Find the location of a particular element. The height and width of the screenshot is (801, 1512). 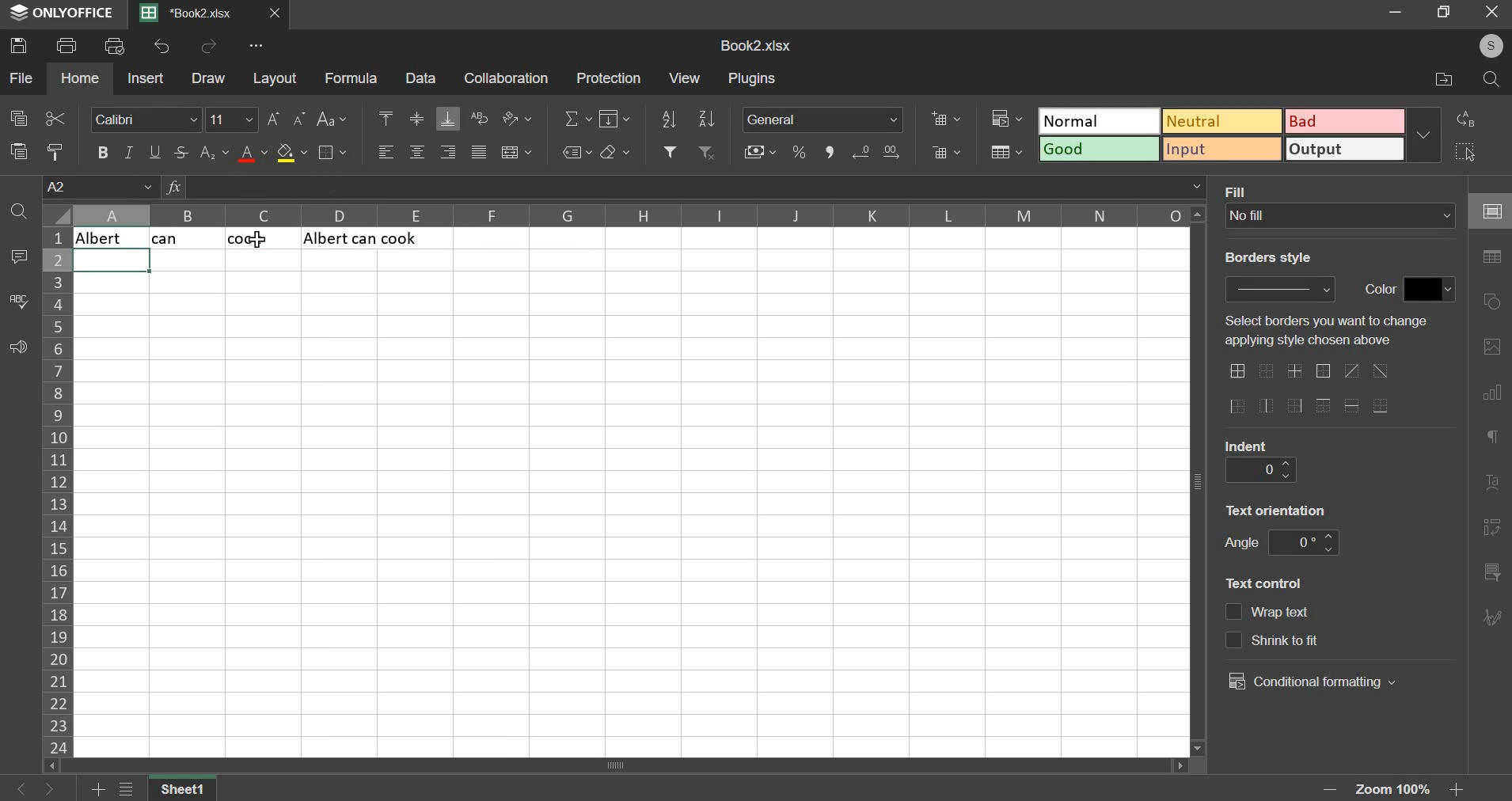

add filter is located at coordinates (668, 150).